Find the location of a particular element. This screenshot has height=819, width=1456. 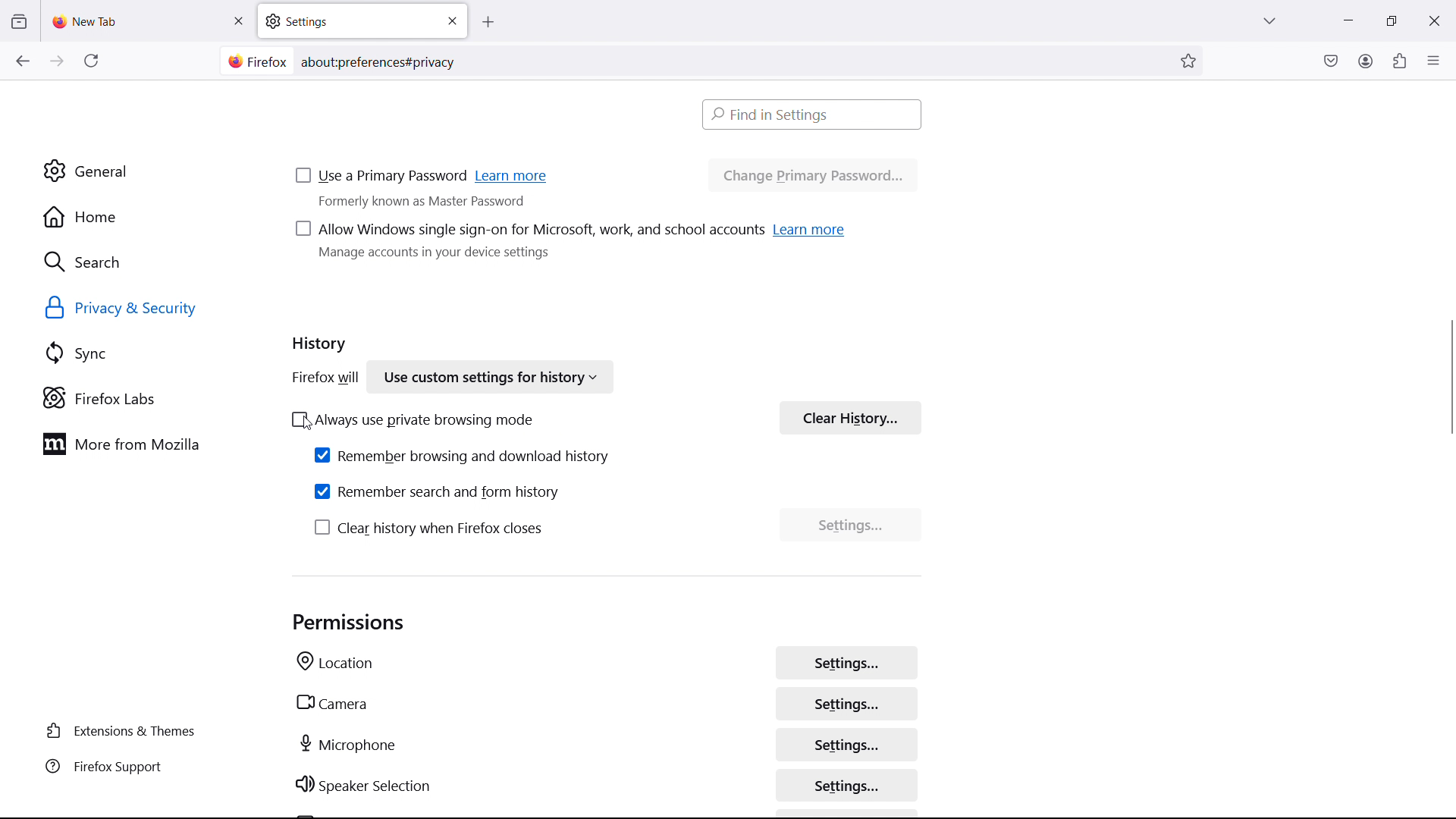

open application menu is located at coordinates (1433, 59).